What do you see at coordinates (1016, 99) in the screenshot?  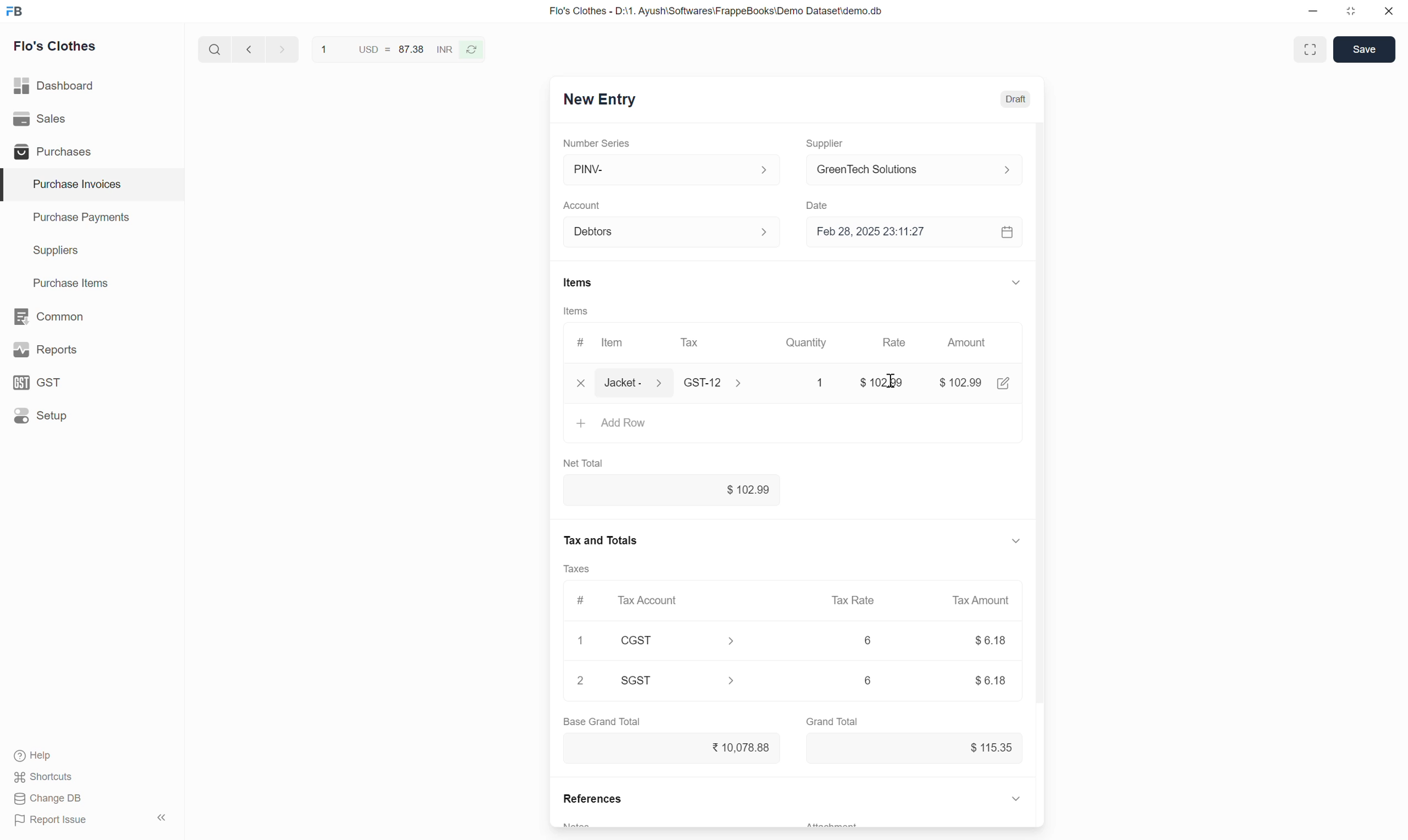 I see `Draft` at bounding box center [1016, 99].